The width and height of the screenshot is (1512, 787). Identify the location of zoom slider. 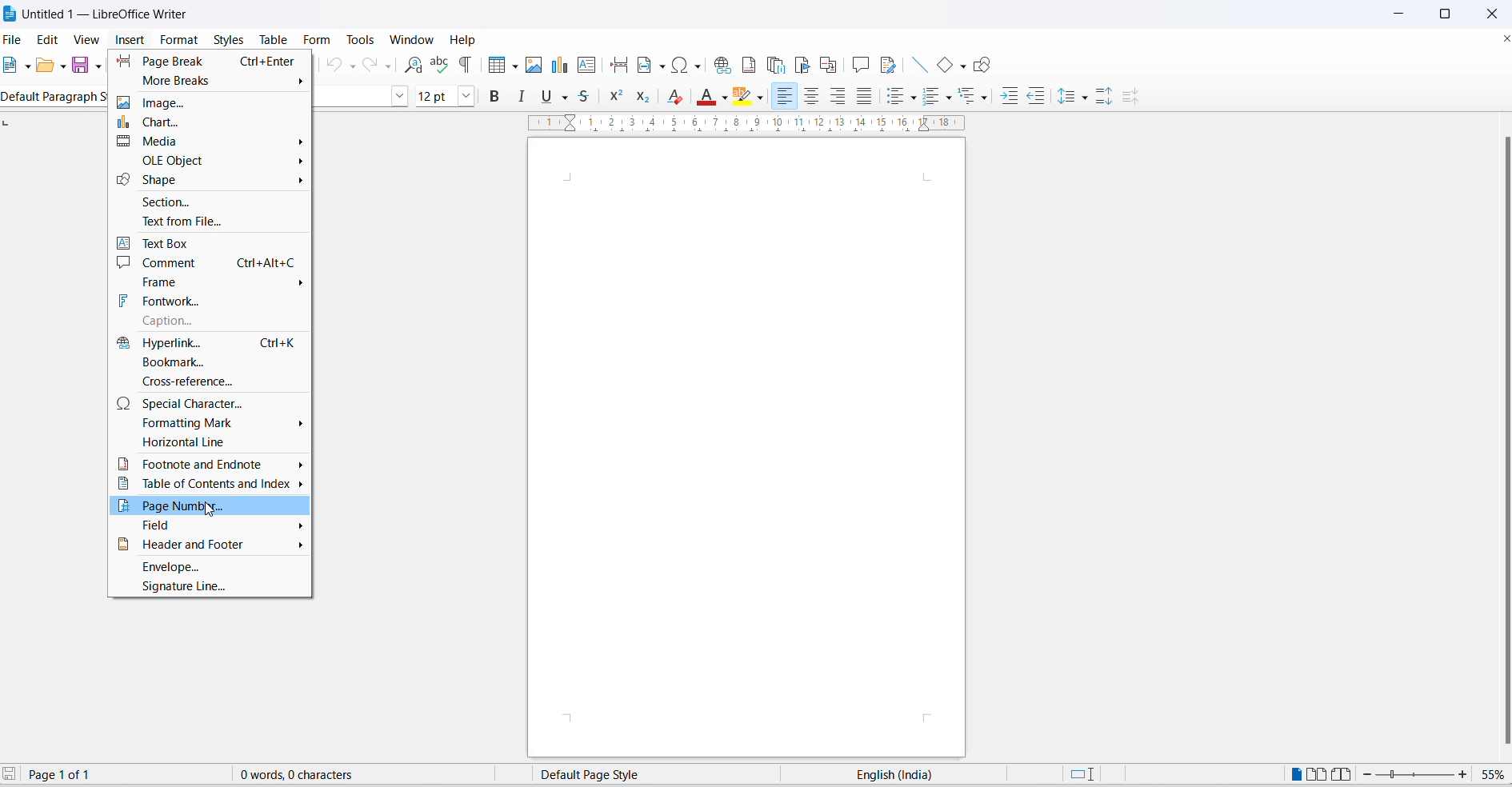
(1417, 776).